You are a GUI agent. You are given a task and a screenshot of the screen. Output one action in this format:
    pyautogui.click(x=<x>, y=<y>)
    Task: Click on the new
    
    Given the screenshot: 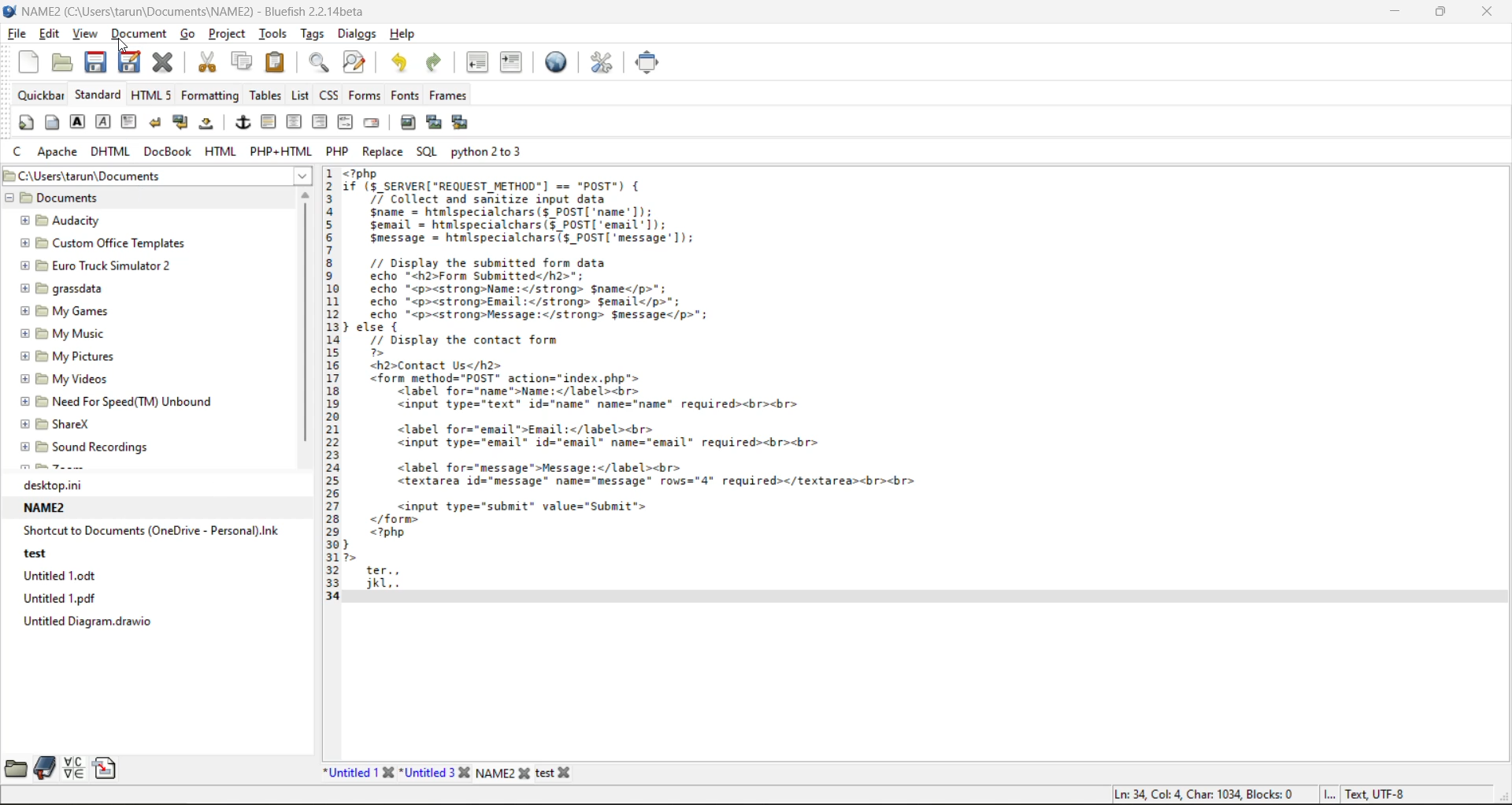 What is the action you would take?
    pyautogui.click(x=31, y=60)
    